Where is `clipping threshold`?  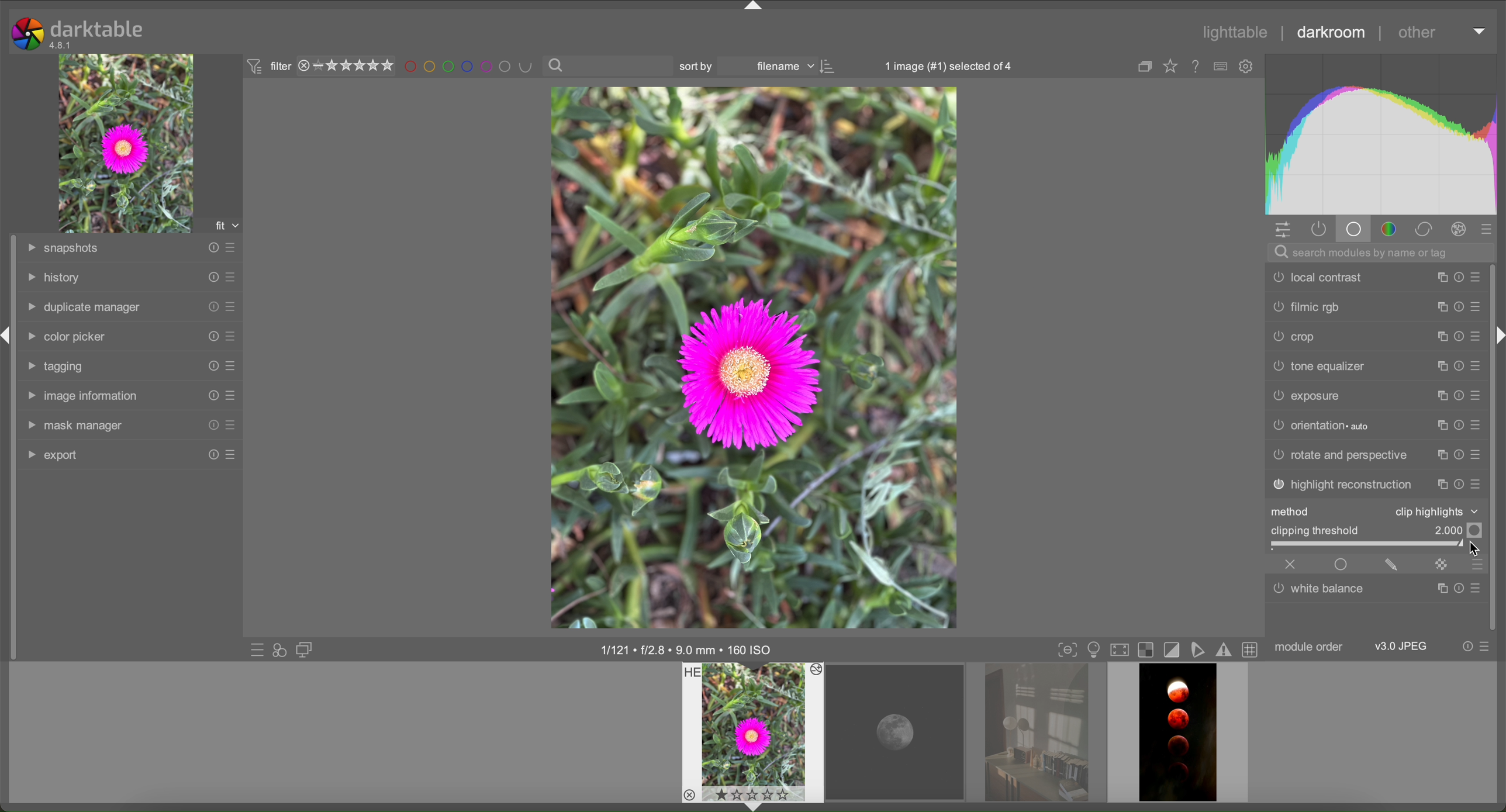
clipping threshold is located at coordinates (1315, 530).